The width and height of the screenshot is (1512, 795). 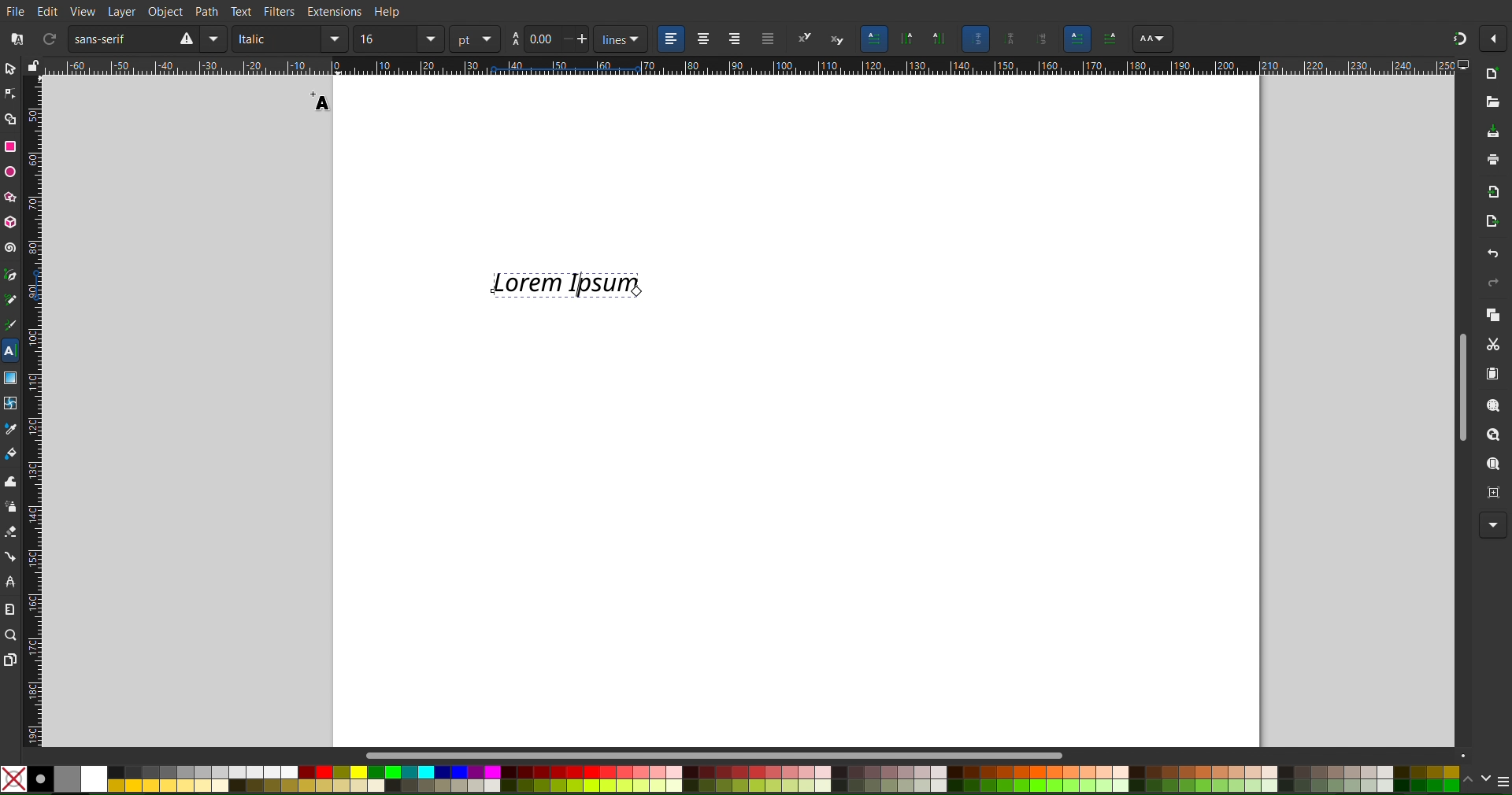 I want to click on Color Options, so click(x=1490, y=780).